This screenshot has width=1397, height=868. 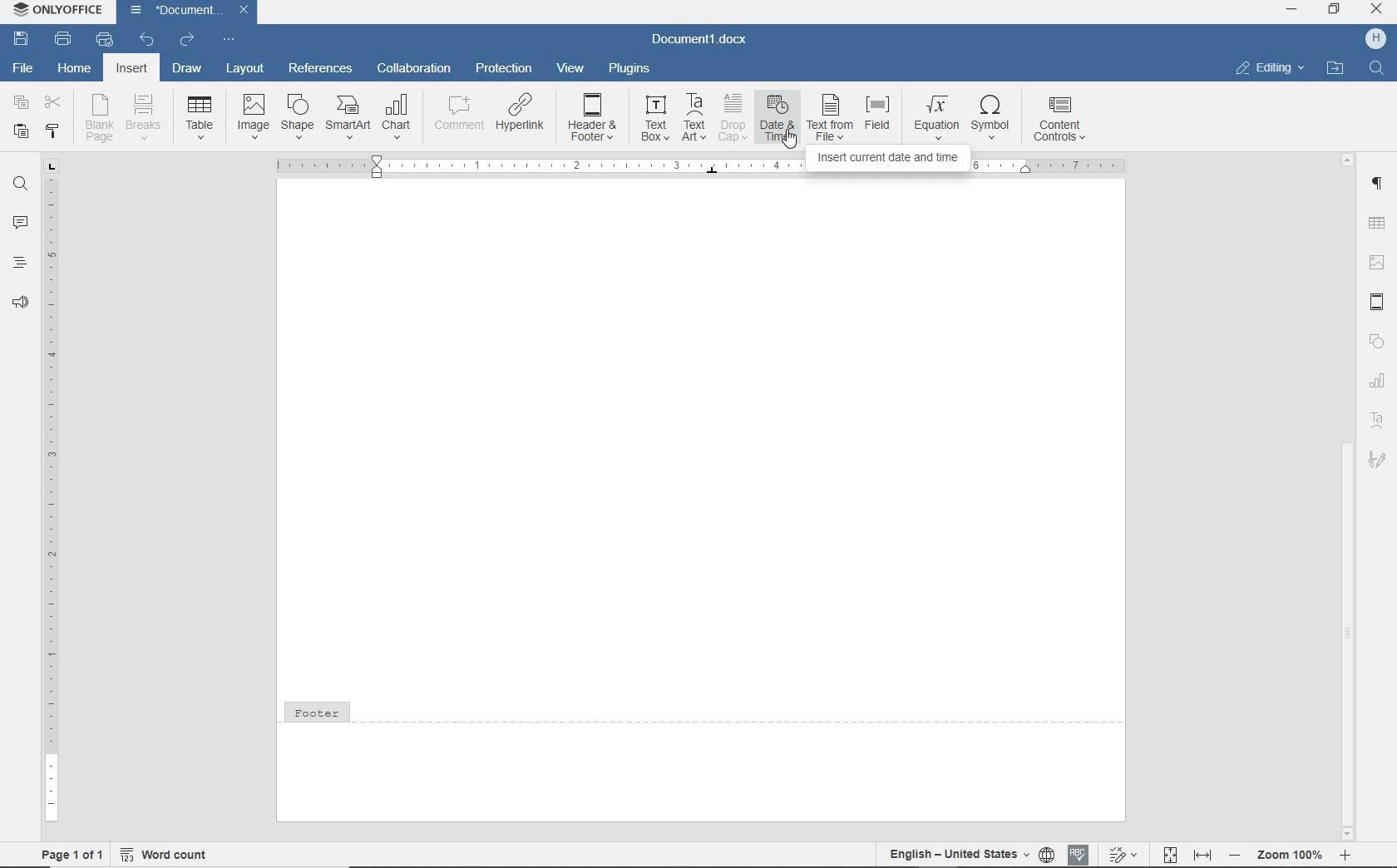 What do you see at coordinates (1079, 856) in the screenshot?
I see `spell check` at bounding box center [1079, 856].